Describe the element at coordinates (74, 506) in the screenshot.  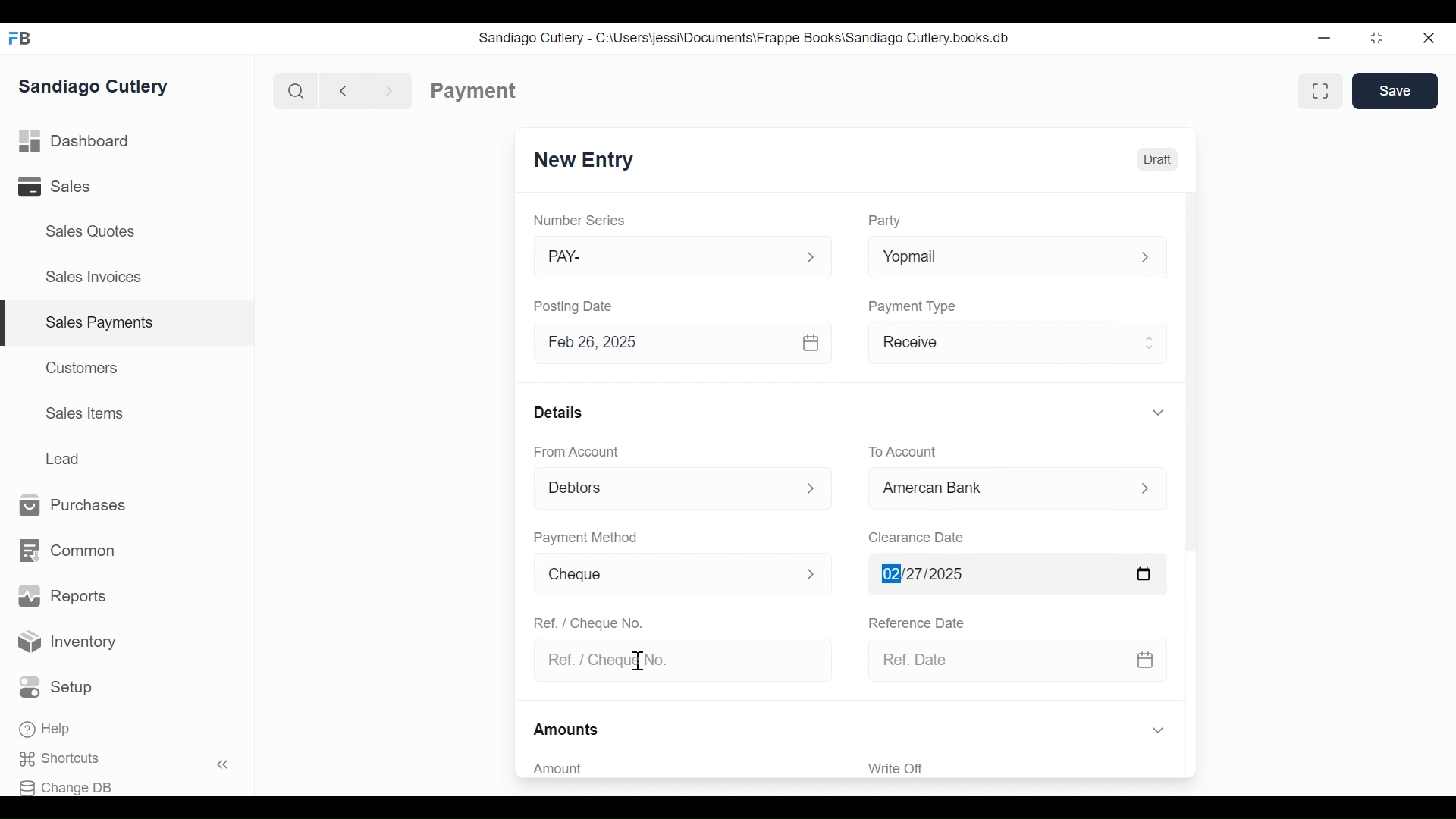
I see `Purchases` at that location.